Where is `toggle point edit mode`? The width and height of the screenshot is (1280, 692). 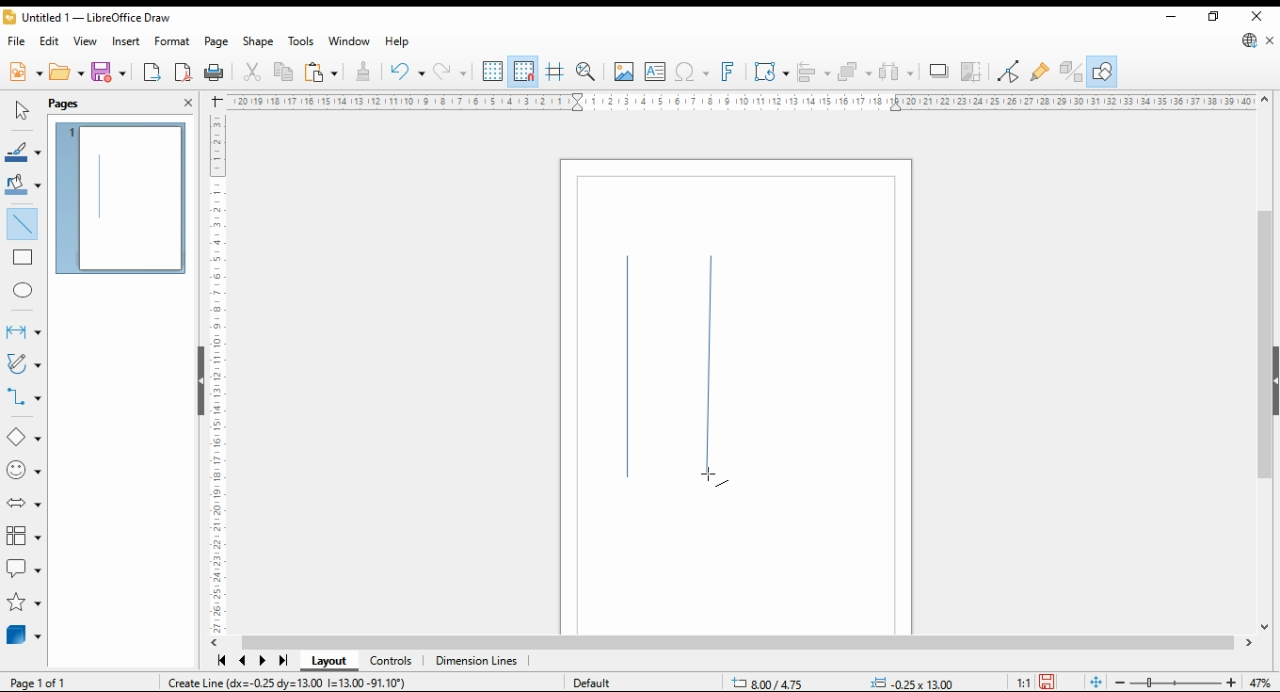
toggle point edit mode is located at coordinates (1010, 69).